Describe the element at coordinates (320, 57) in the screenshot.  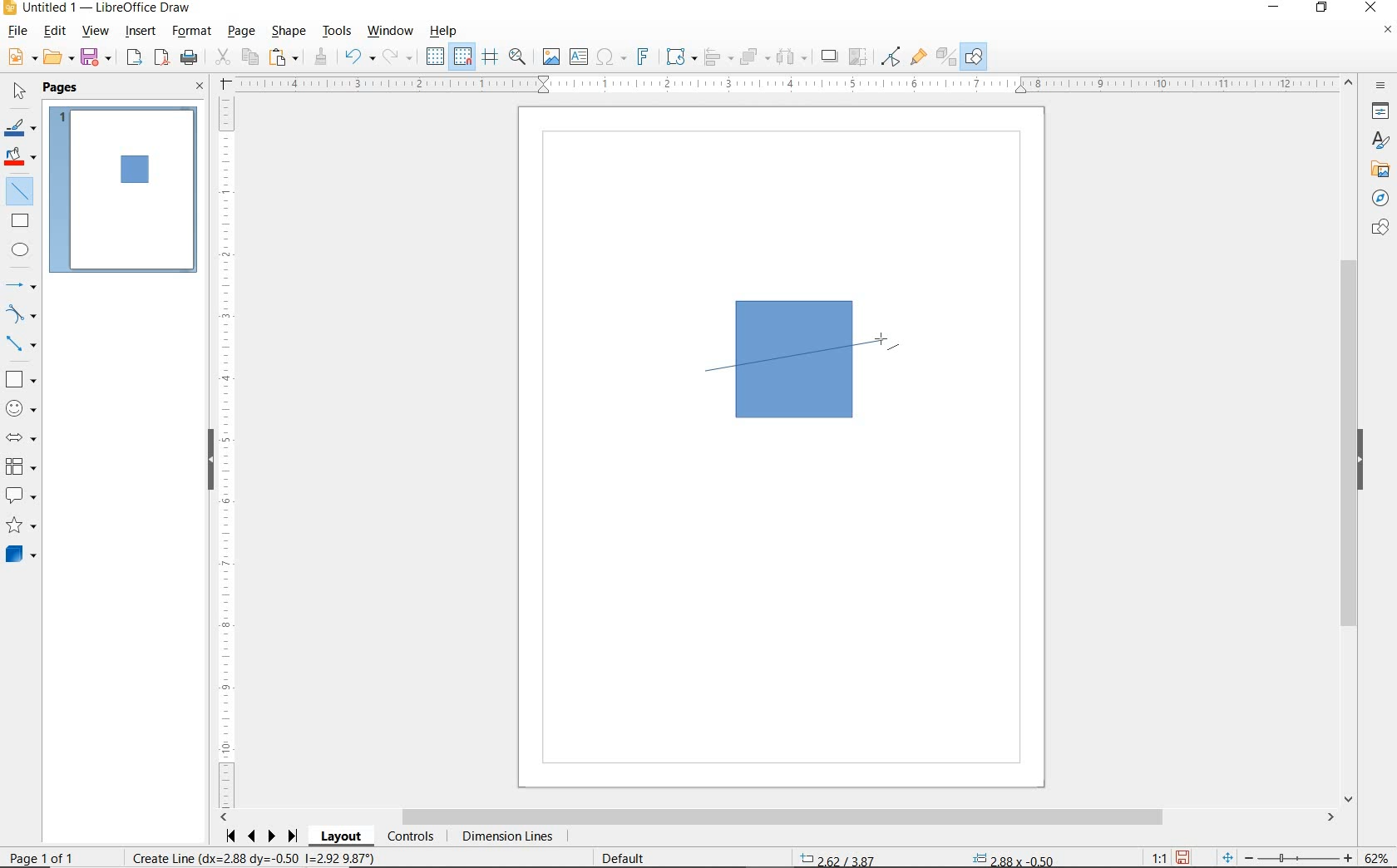
I see `CLONE FORMATTING` at that location.